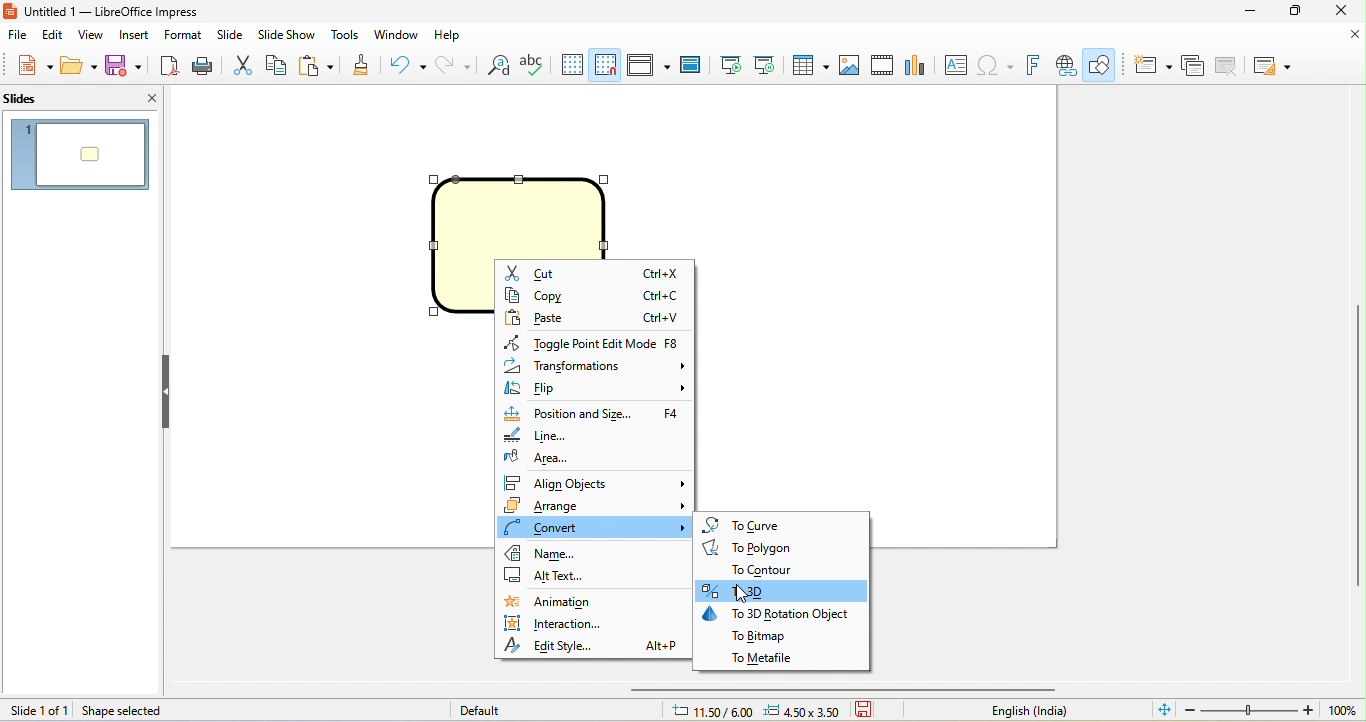 The height and width of the screenshot is (722, 1366). What do you see at coordinates (650, 64) in the screenshot?
I see `display view` at bounding box center [650, 64].